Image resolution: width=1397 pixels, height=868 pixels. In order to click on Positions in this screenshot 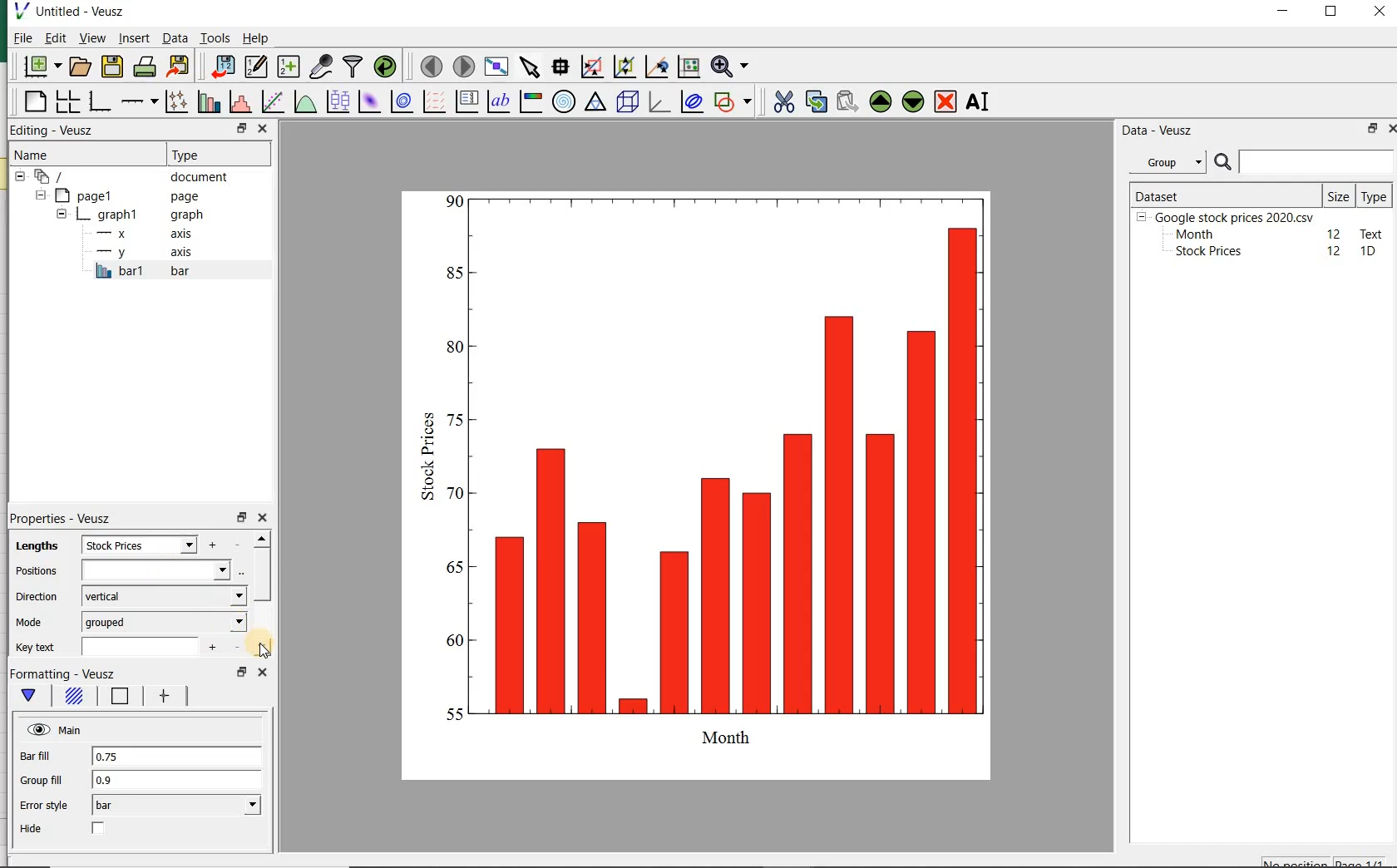, I will do `click(34, 570)`.